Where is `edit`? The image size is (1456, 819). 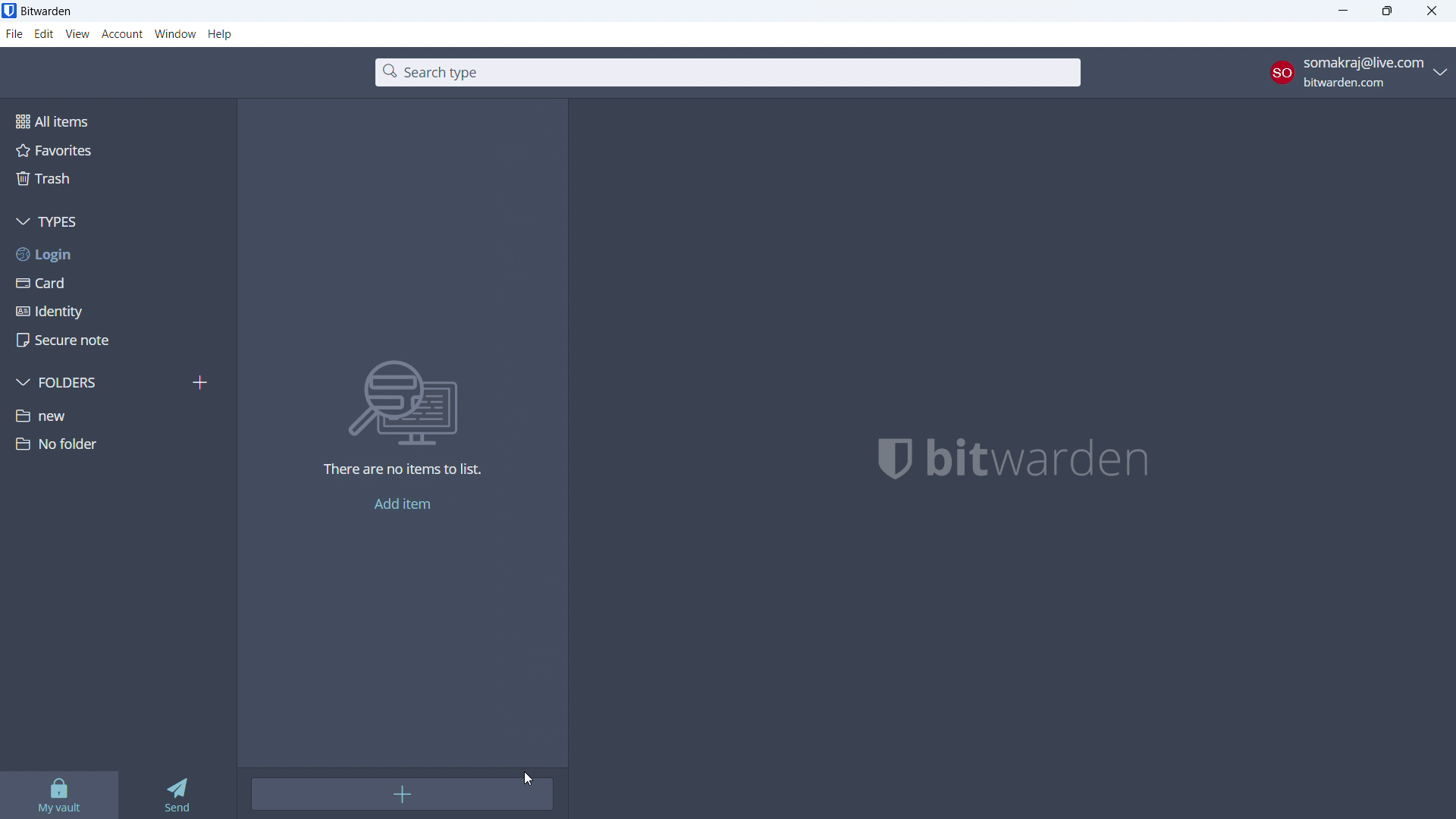 edit is located at coordinates (45, 34).